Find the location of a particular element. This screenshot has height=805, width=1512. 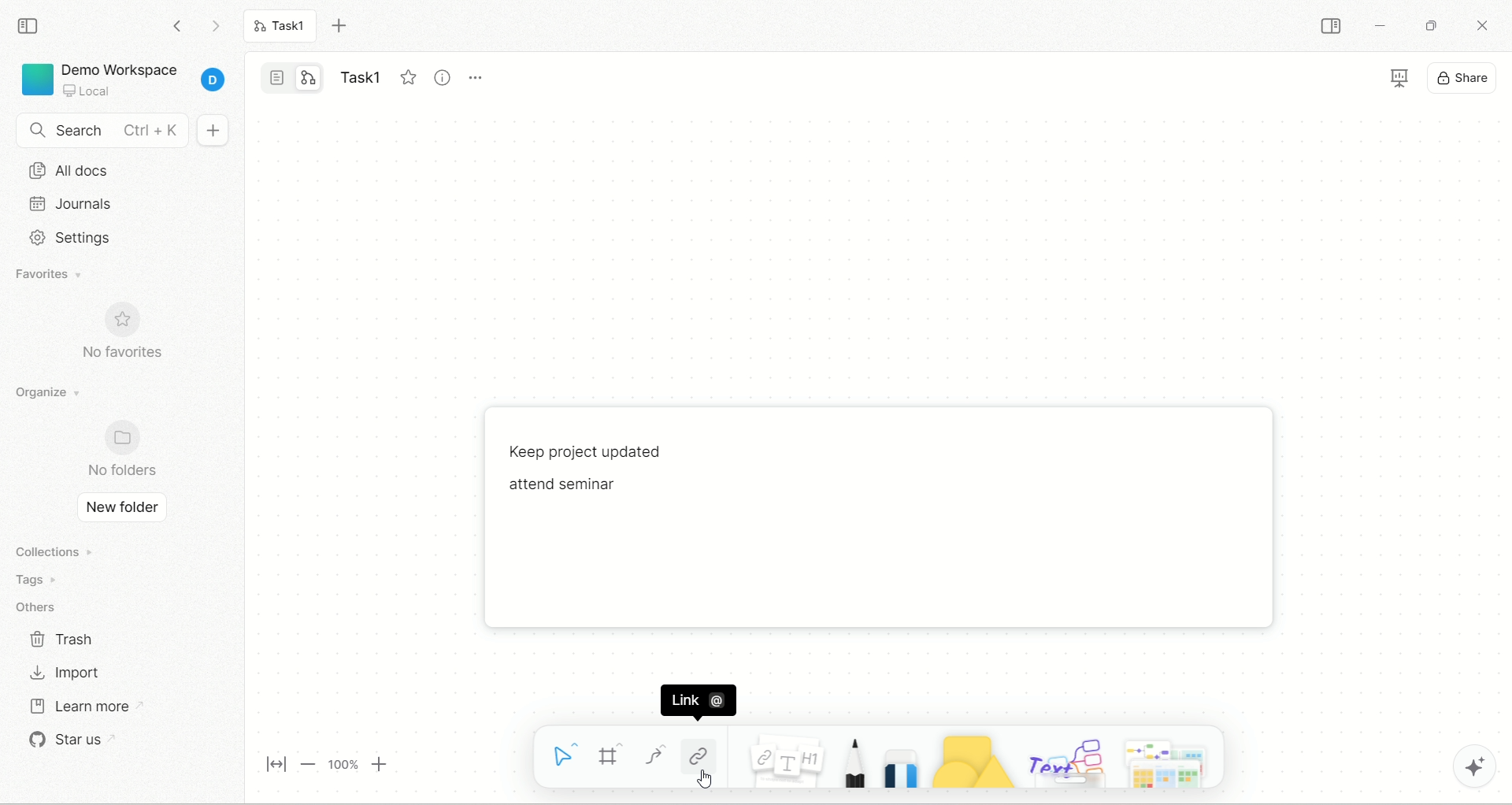

display is located at coordinates (1445, 76).